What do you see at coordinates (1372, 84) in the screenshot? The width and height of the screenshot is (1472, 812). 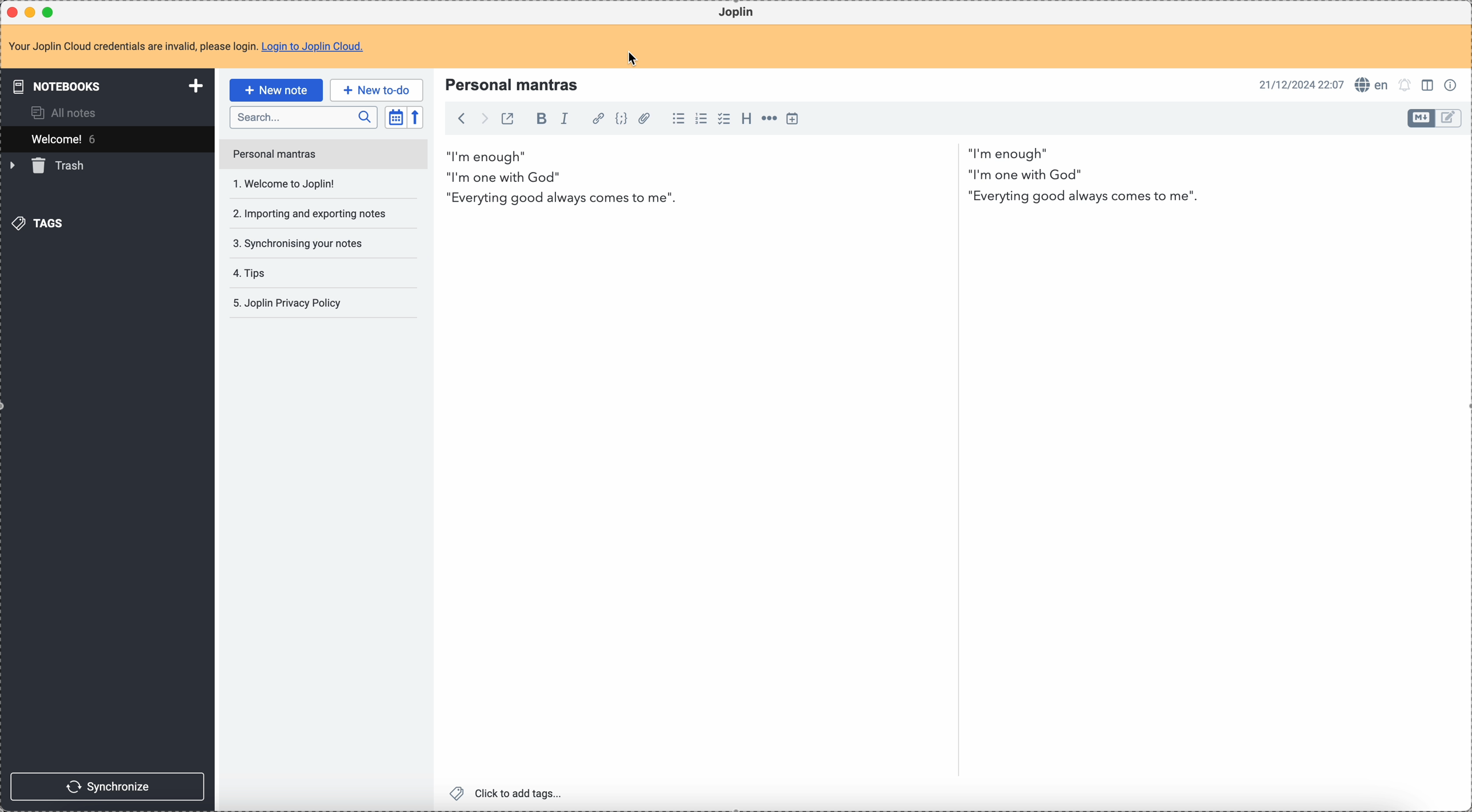 I see `spell checker` at bounding box center [1372, 84].